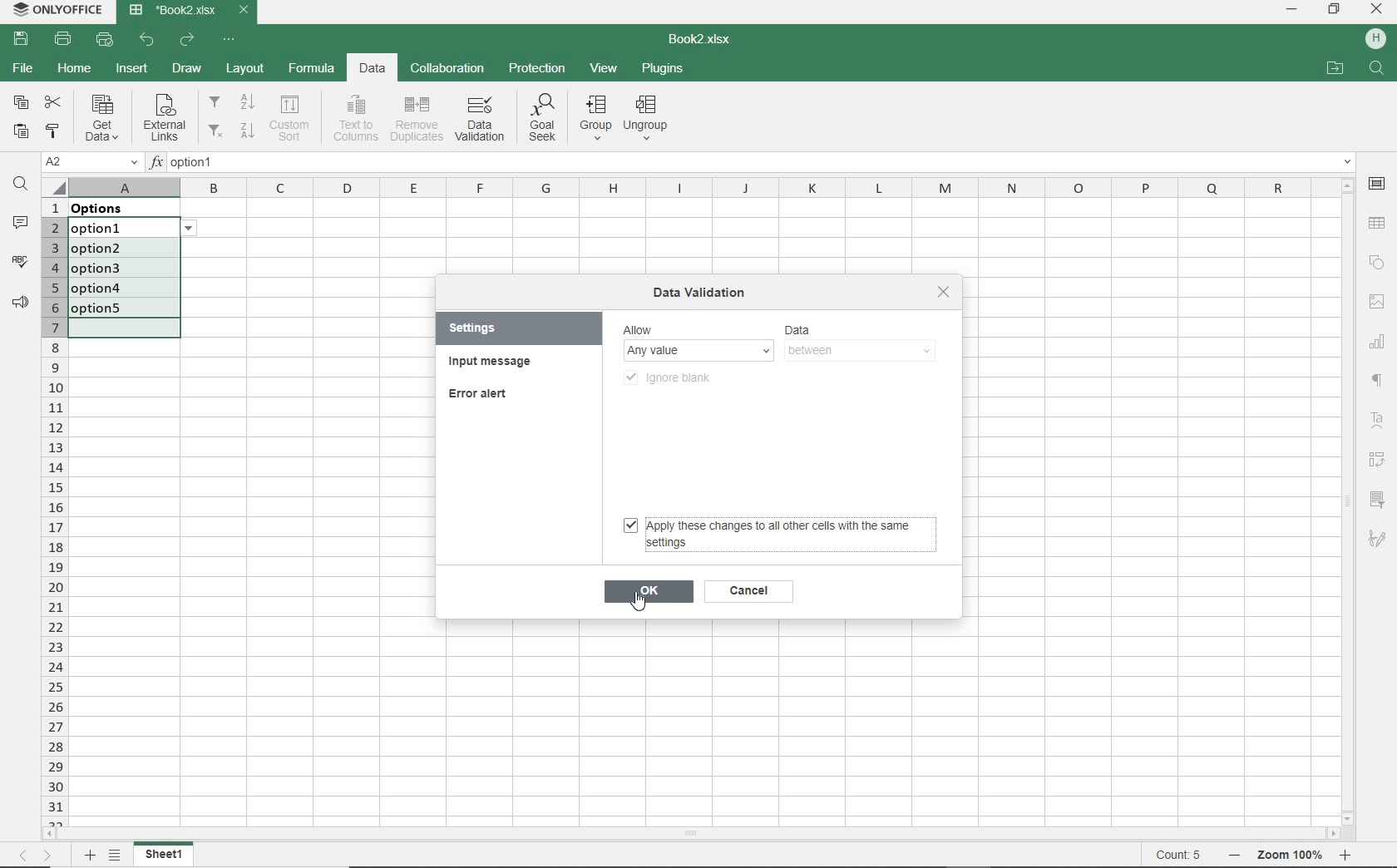  Describe the element at coordinates (1379, 263) in the screenshot. I see `SHAPE` at that location.